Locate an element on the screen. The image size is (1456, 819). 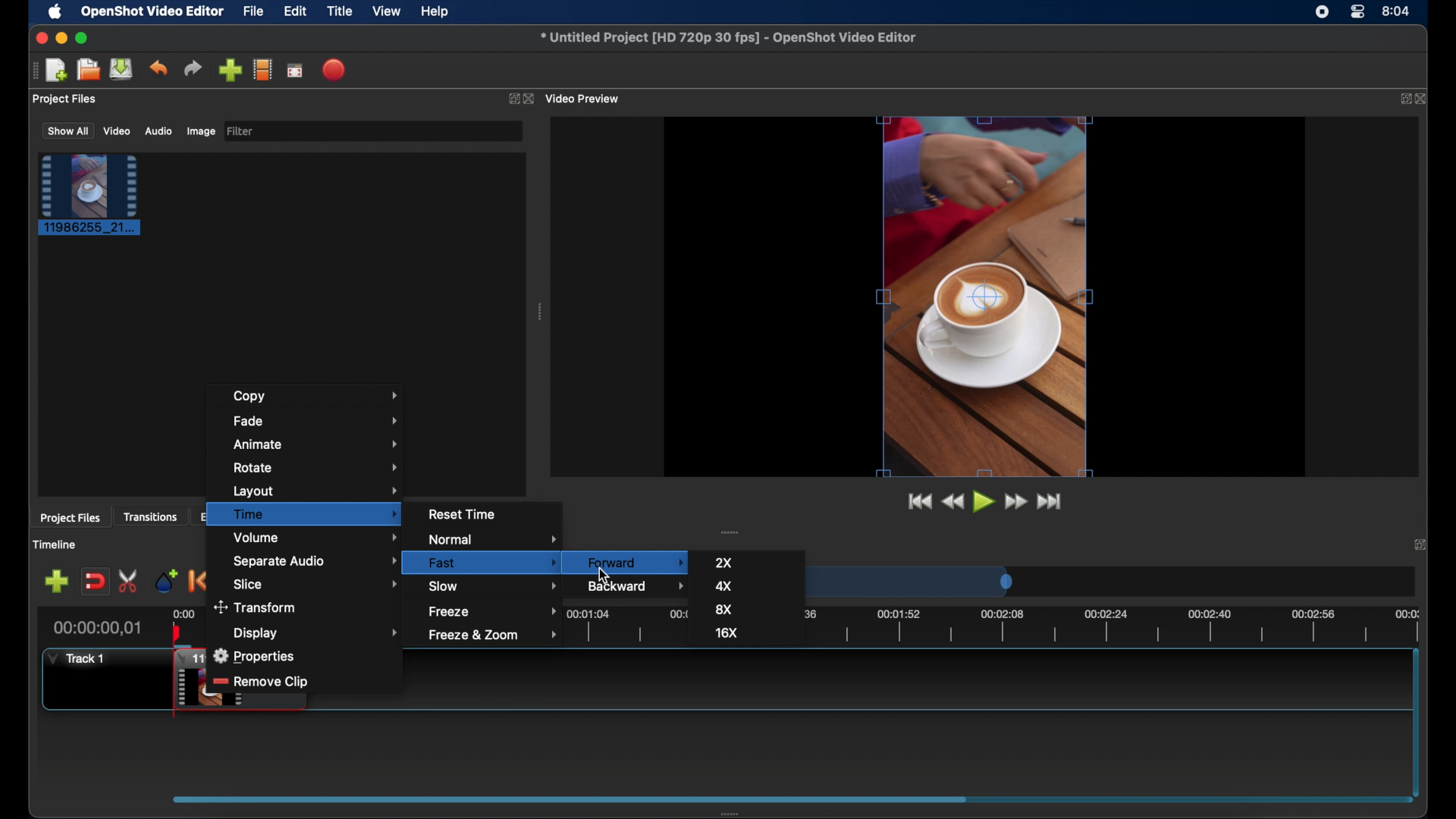
jump to end is located at coordinates (1049, 502).